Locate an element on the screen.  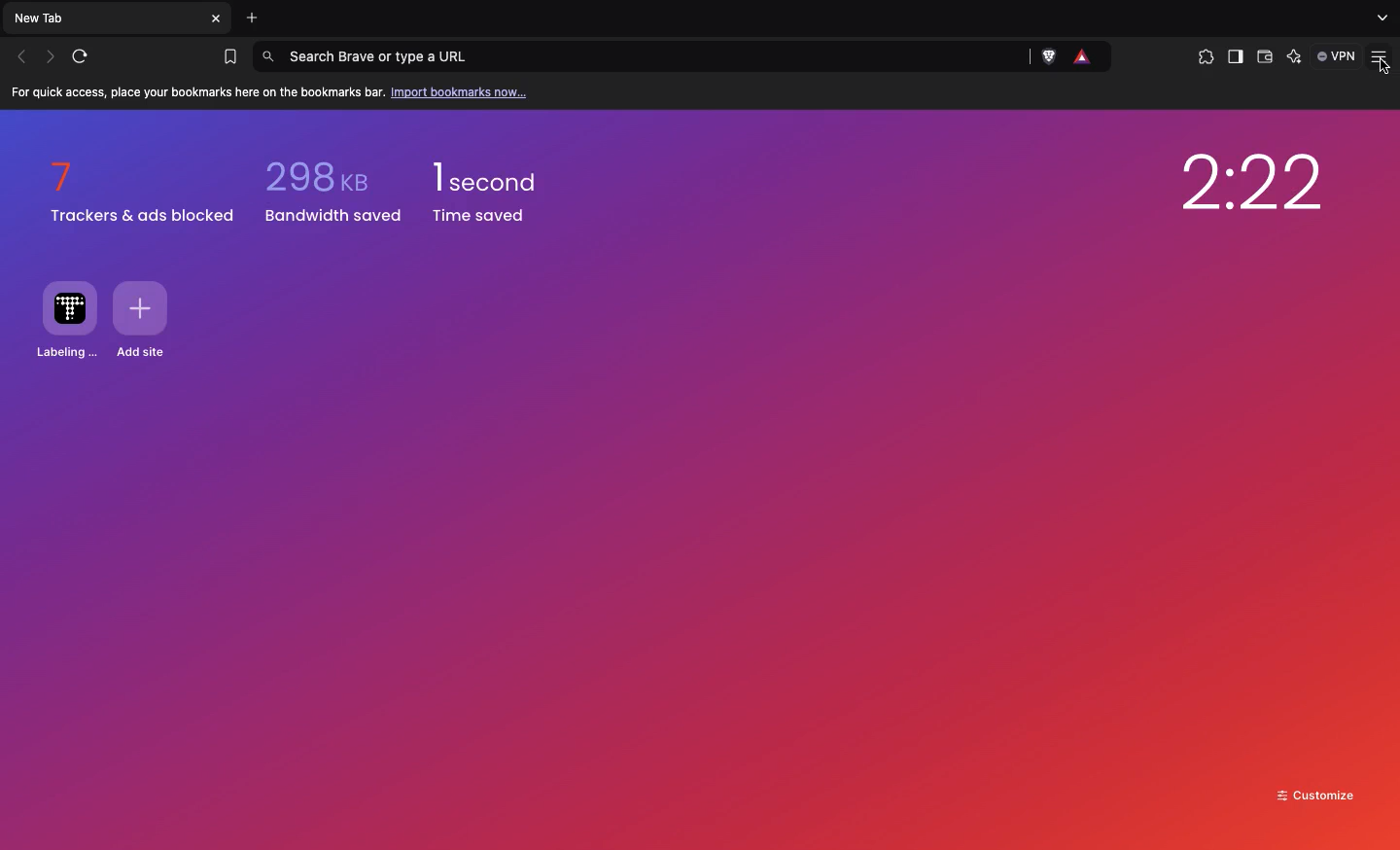
 is located at coordinates (219, 18).